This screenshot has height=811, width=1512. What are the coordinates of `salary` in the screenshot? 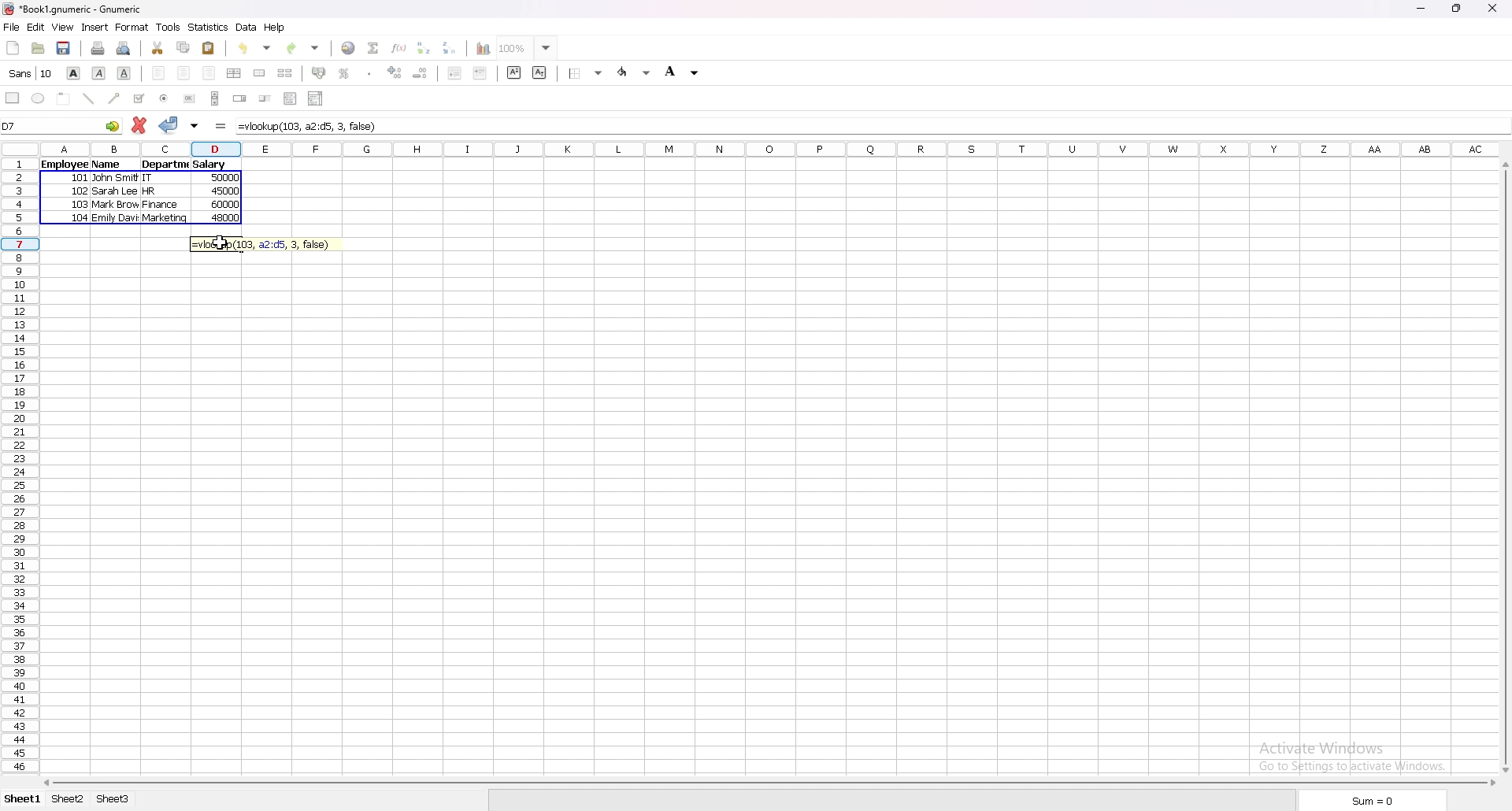 It's located at (213, 166).